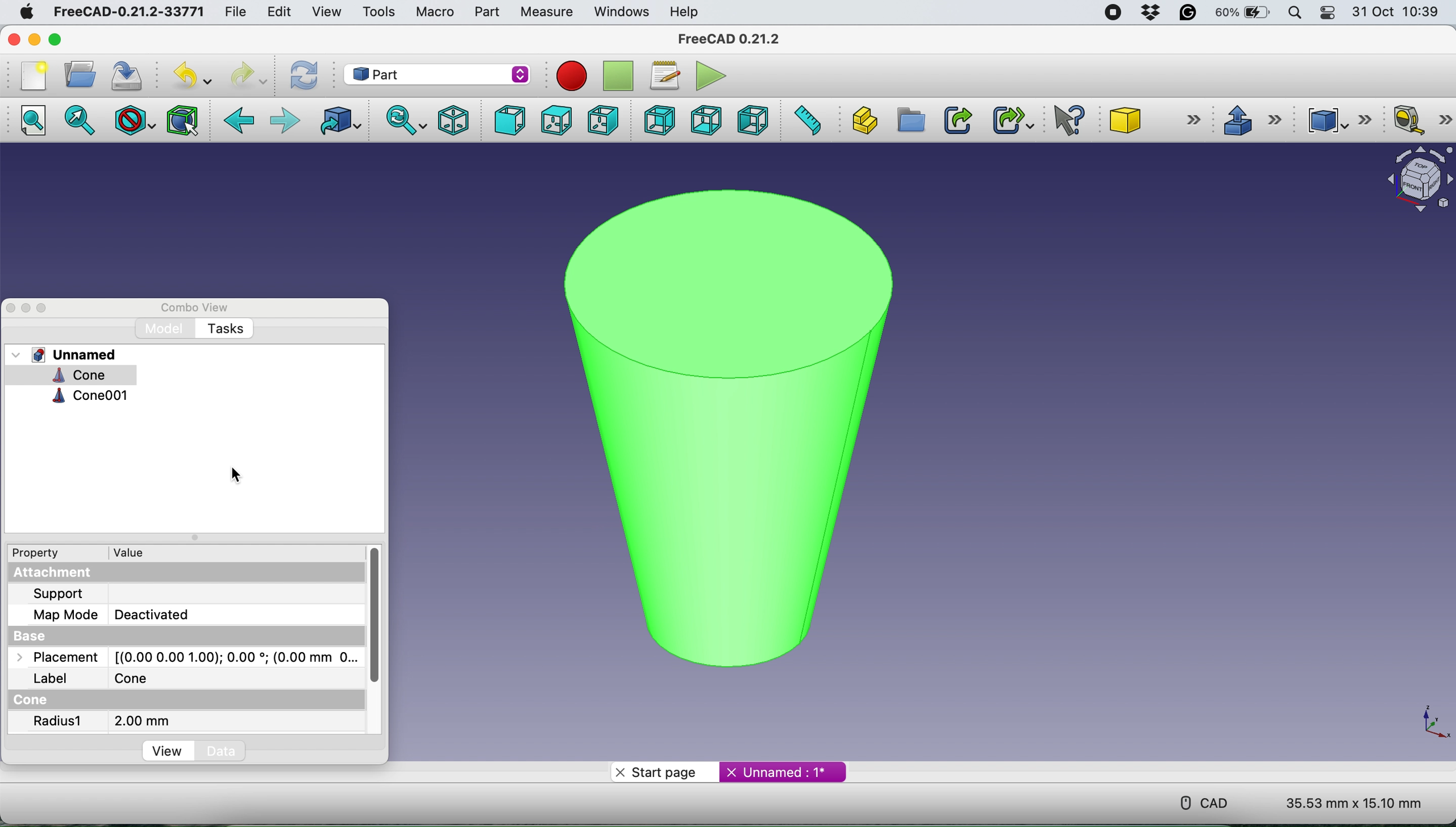 The image size is (1456, 827). I want to click on whats this, so click(1063, 121).